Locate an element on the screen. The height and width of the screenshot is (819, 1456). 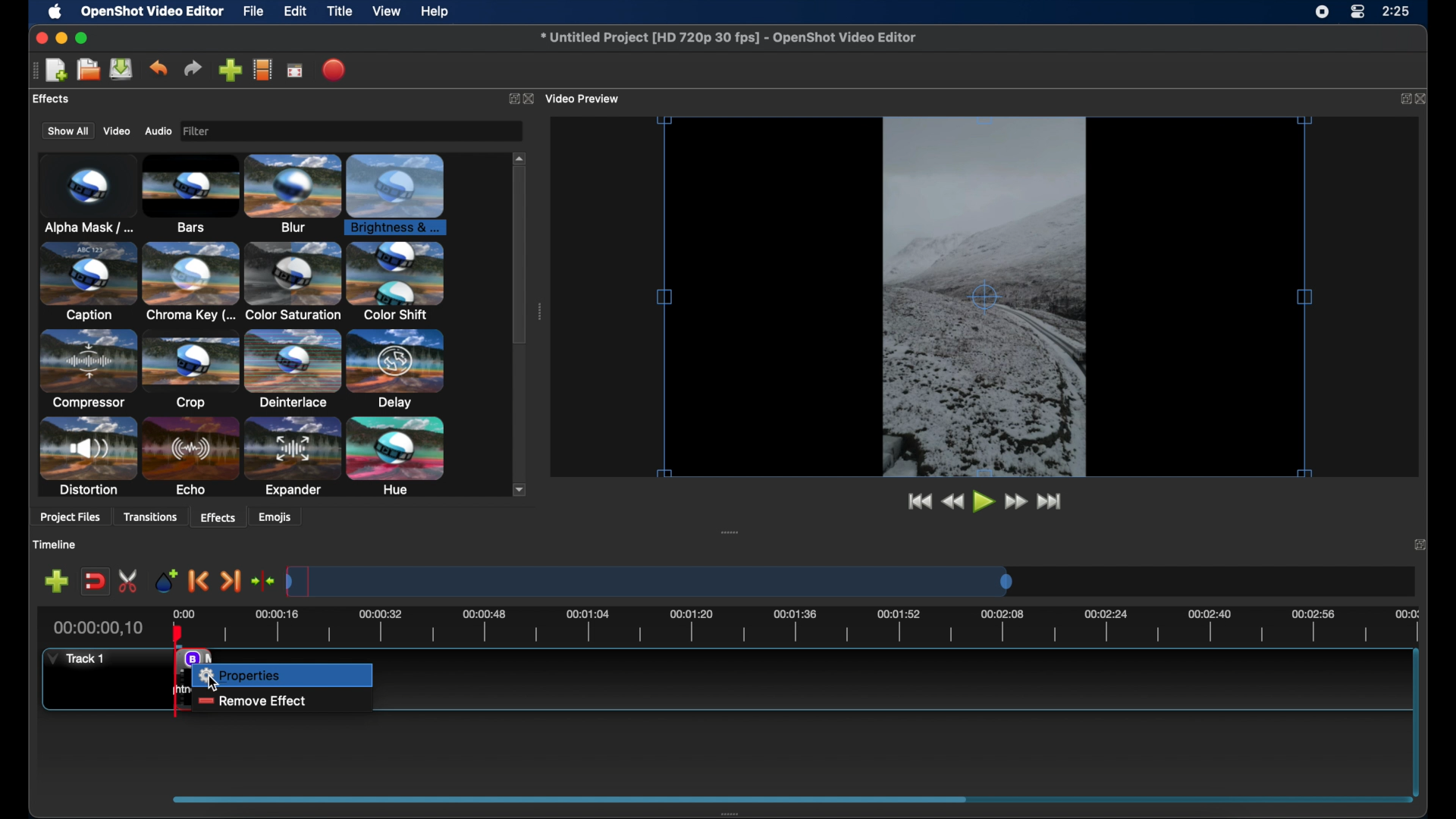
video is located at coordinates (117, 131).